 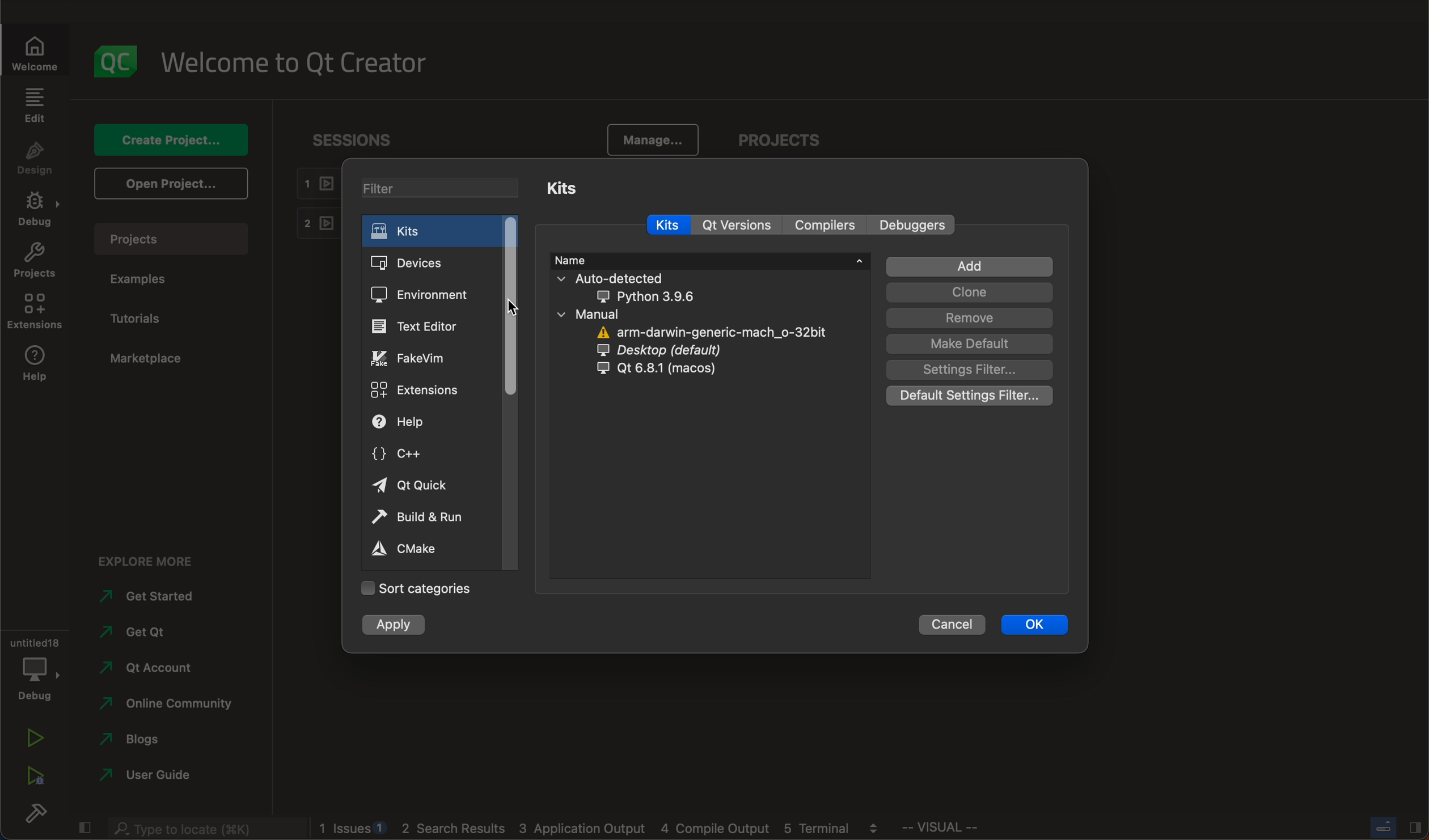 What do you see at coordinates (423, 295) in the screenshot?
I see `environment` at bounding box center [423, 295].